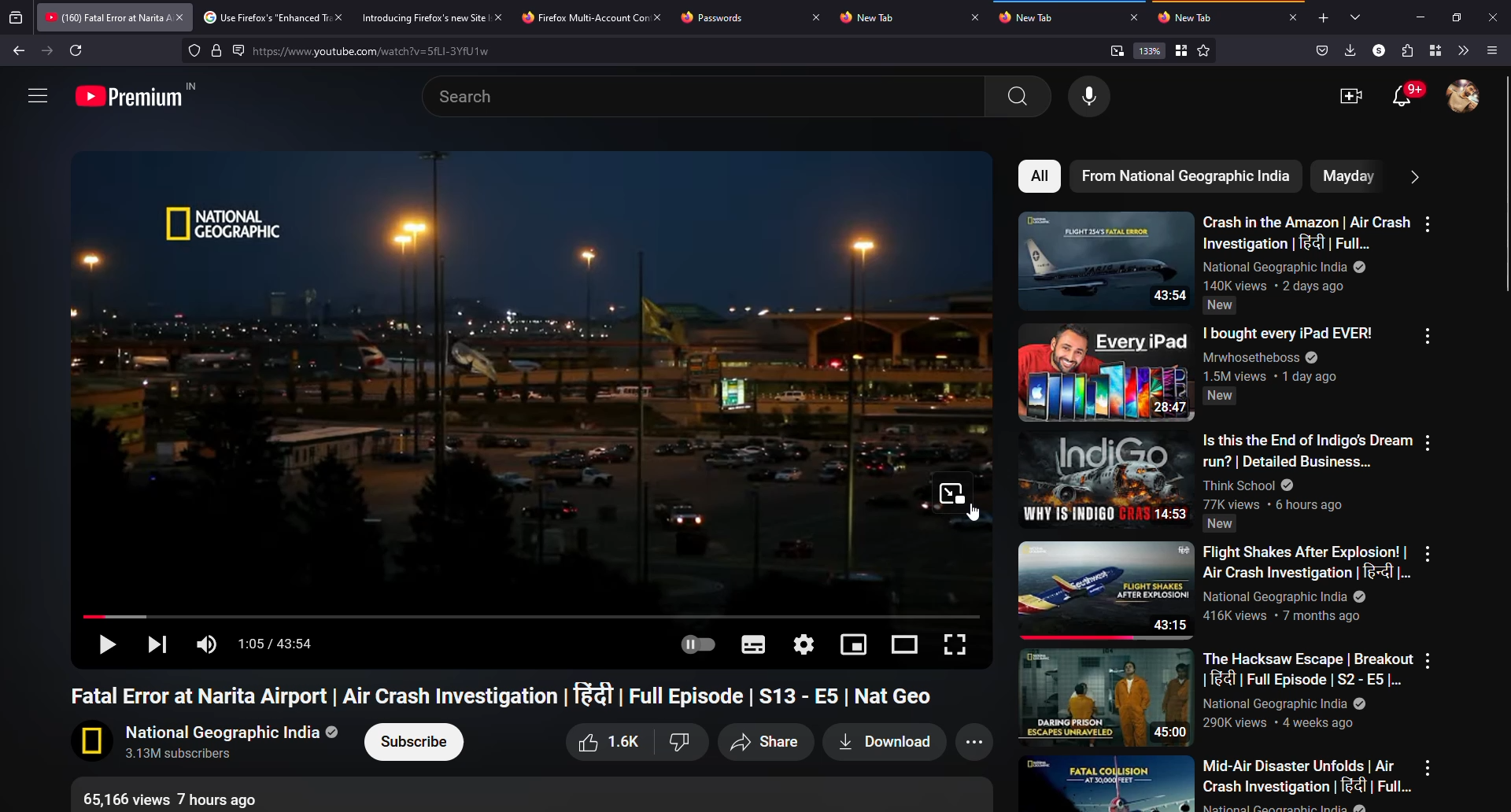  I want to click on back, so click(19, 52).